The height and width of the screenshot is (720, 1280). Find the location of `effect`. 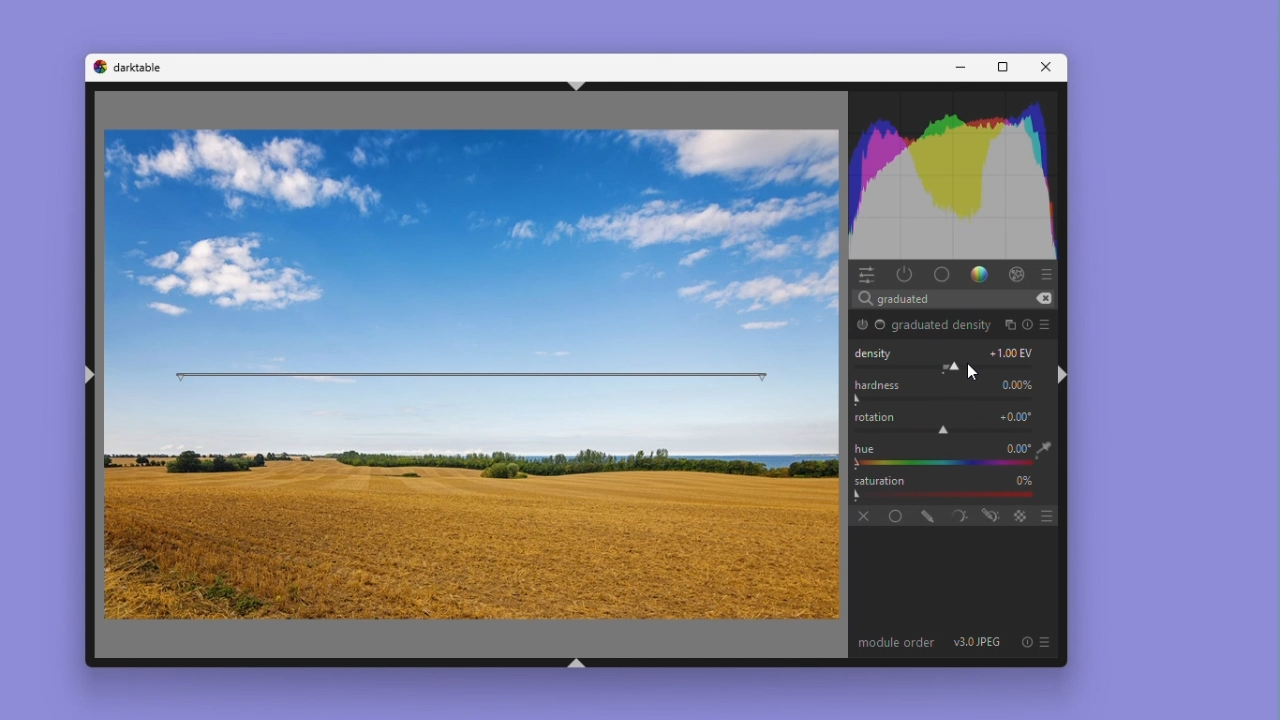

effect is located at coordinates (1016, 273).